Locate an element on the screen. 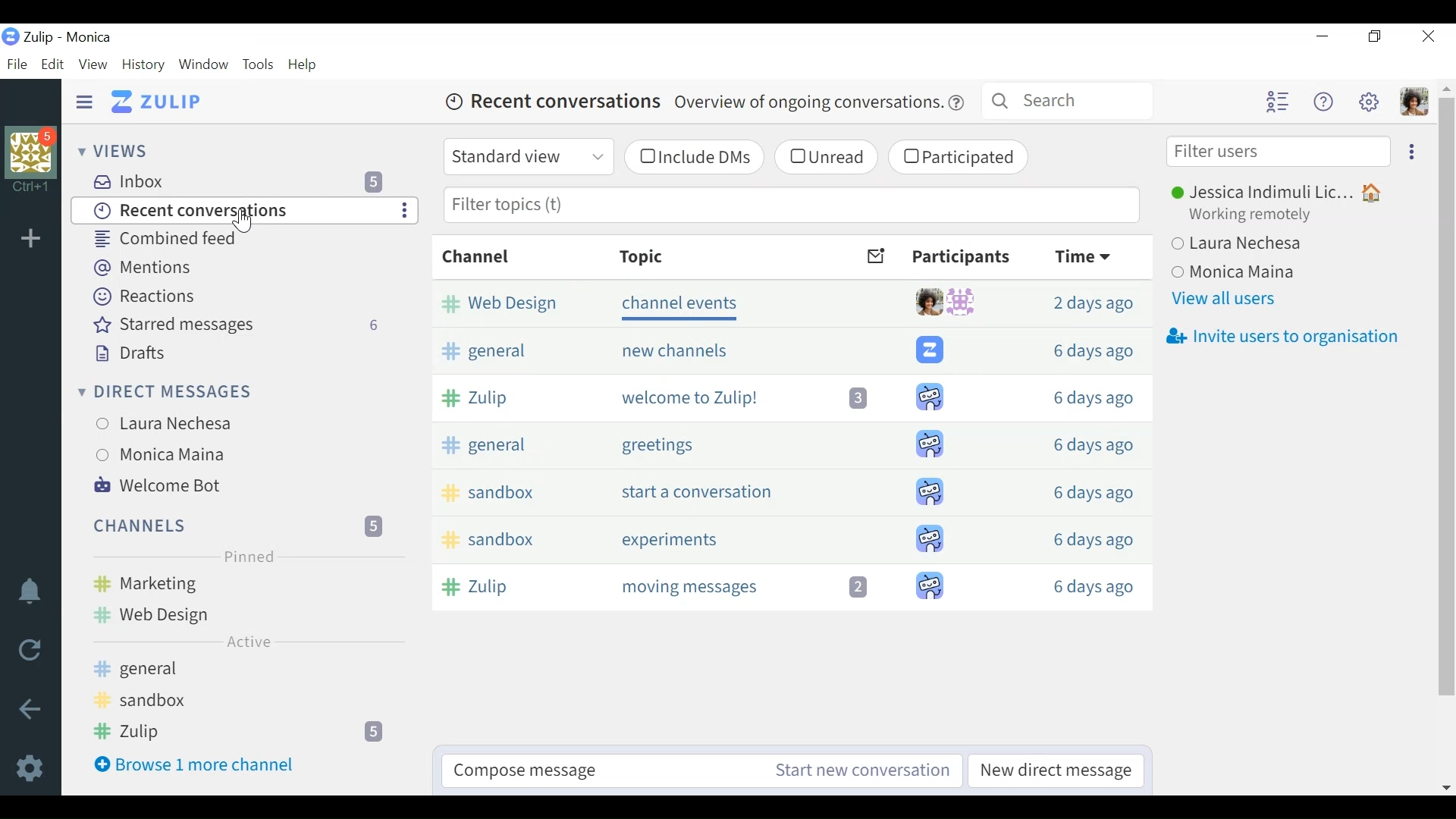 The image size is (1456, 819). vertical scrollbar is located at coordinates (1449, 438).